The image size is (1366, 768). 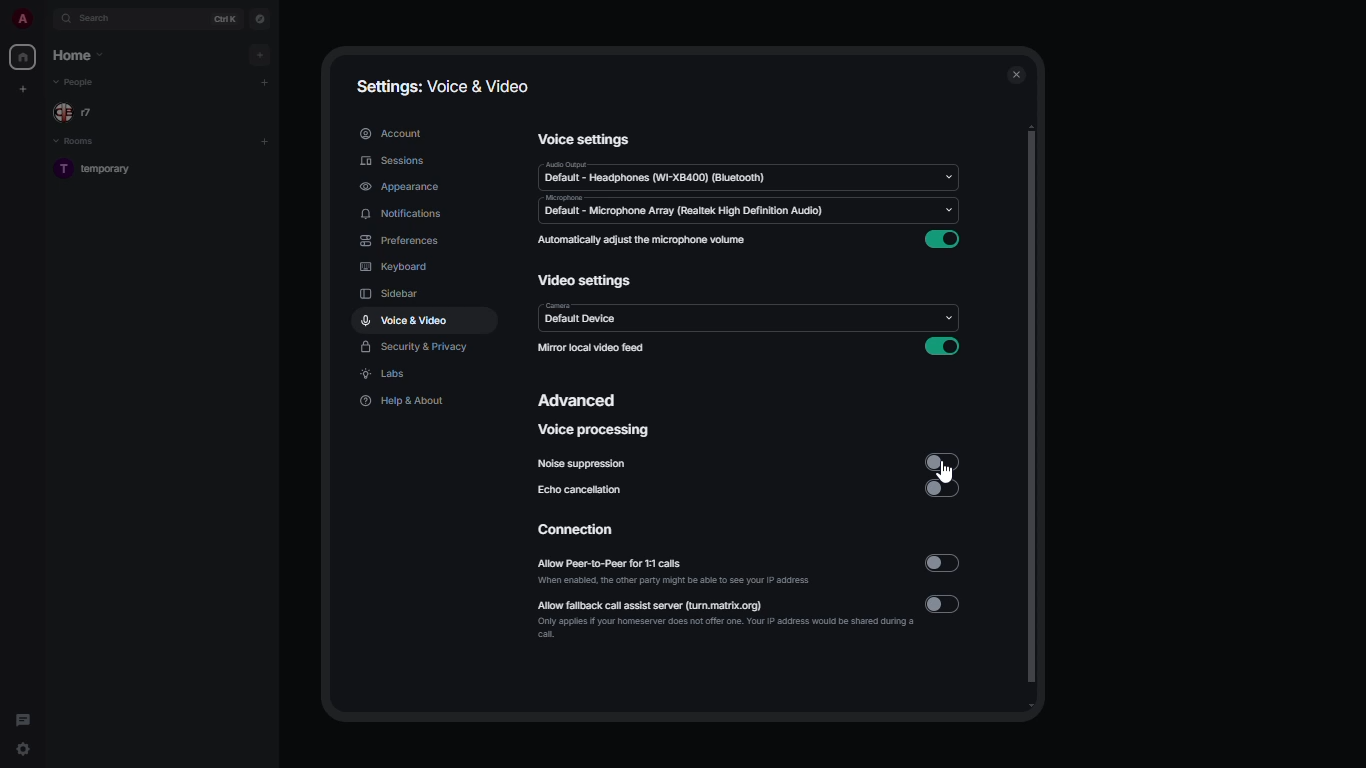 What do you see at coordinates (589, 282) in the screenshot?
I see `video settings` at bounding box center [589, 282].